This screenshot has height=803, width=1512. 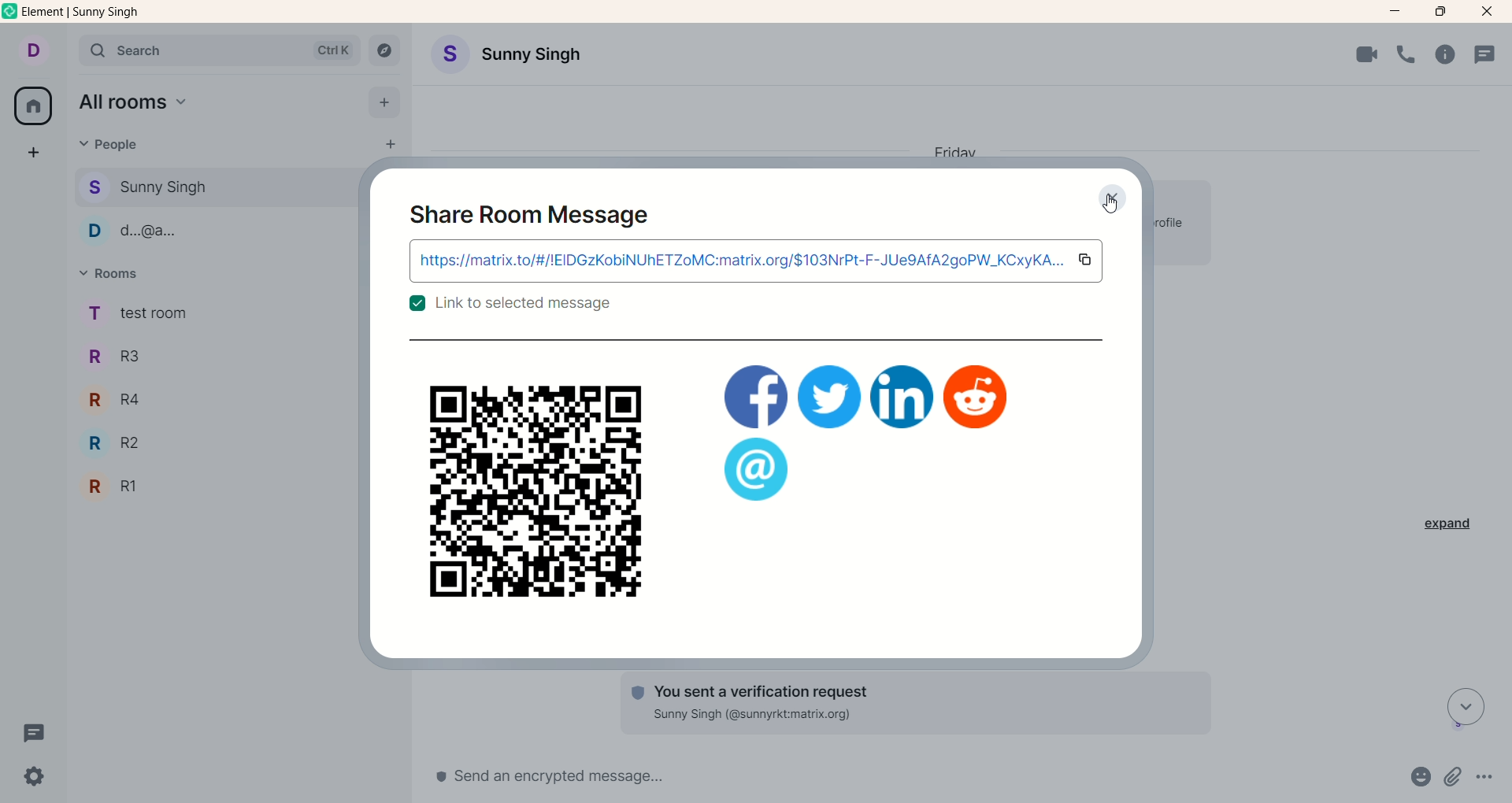 What do you see at coordinates (977, 398) in the screenshot?
I see `application logo` at bounding box center [977, 398].